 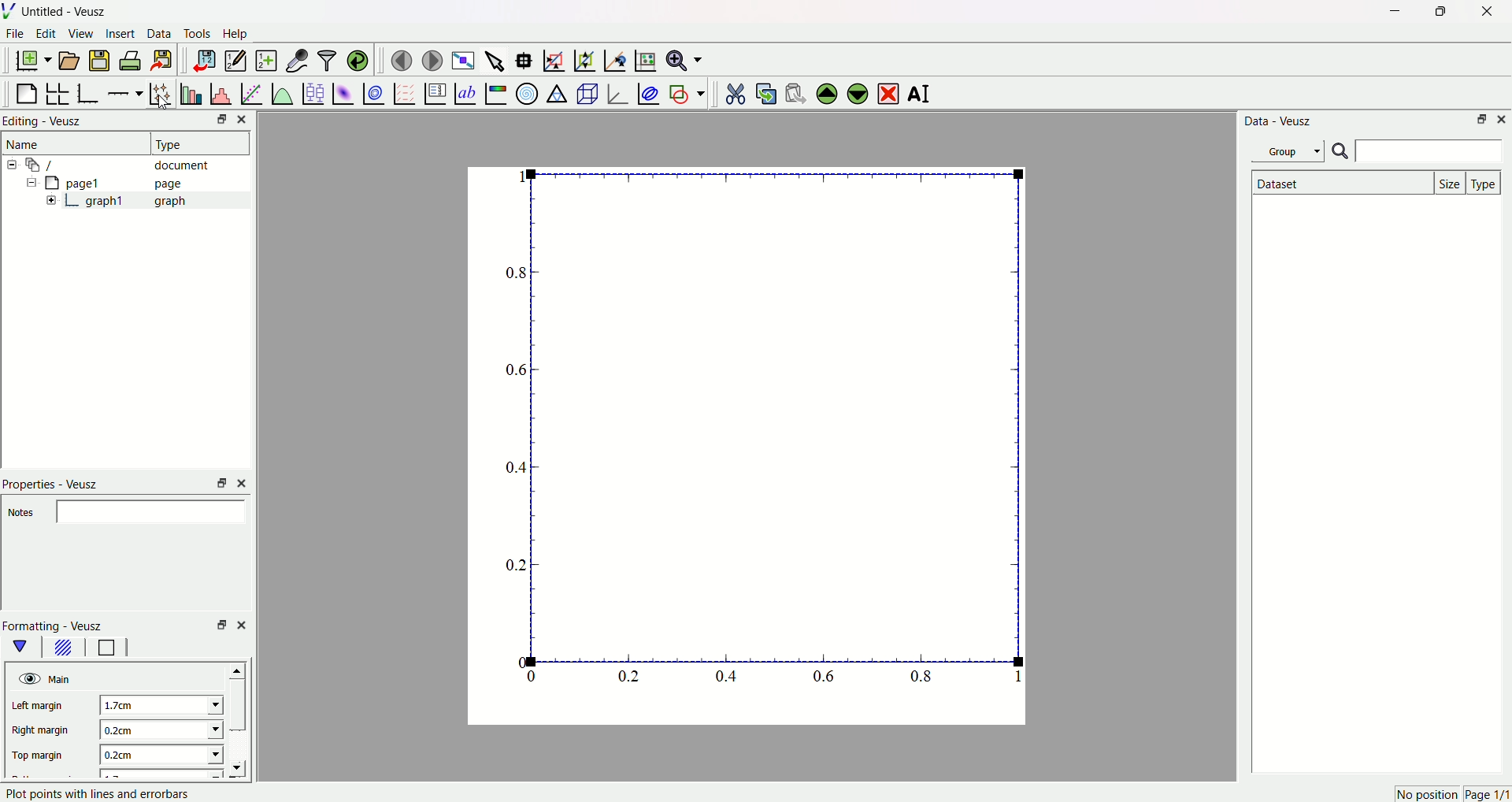 I want to click on page 1/1, so click(x=1487, y=795).